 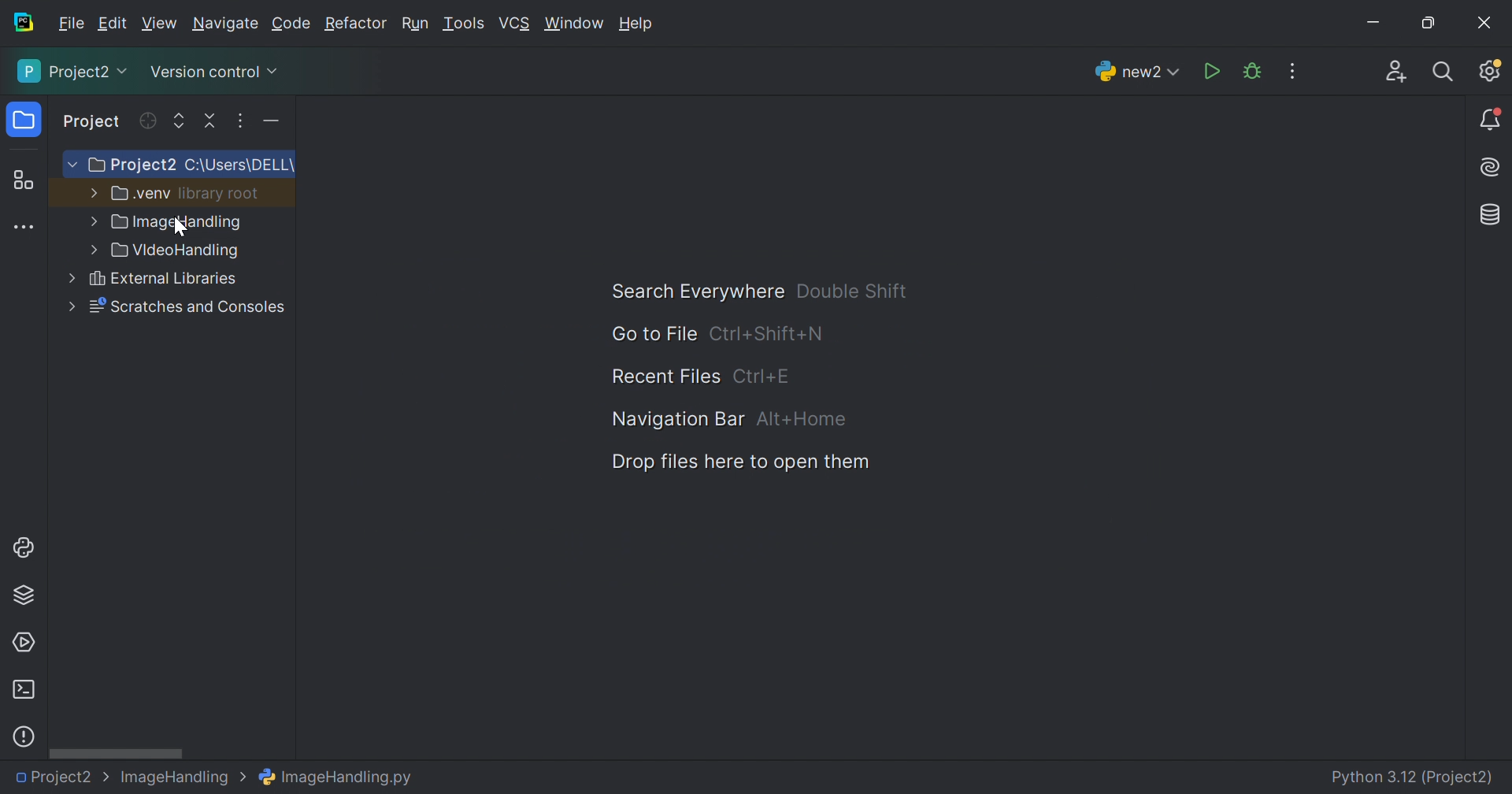 I want to click on Image Handling, so click(x=179, y=224).